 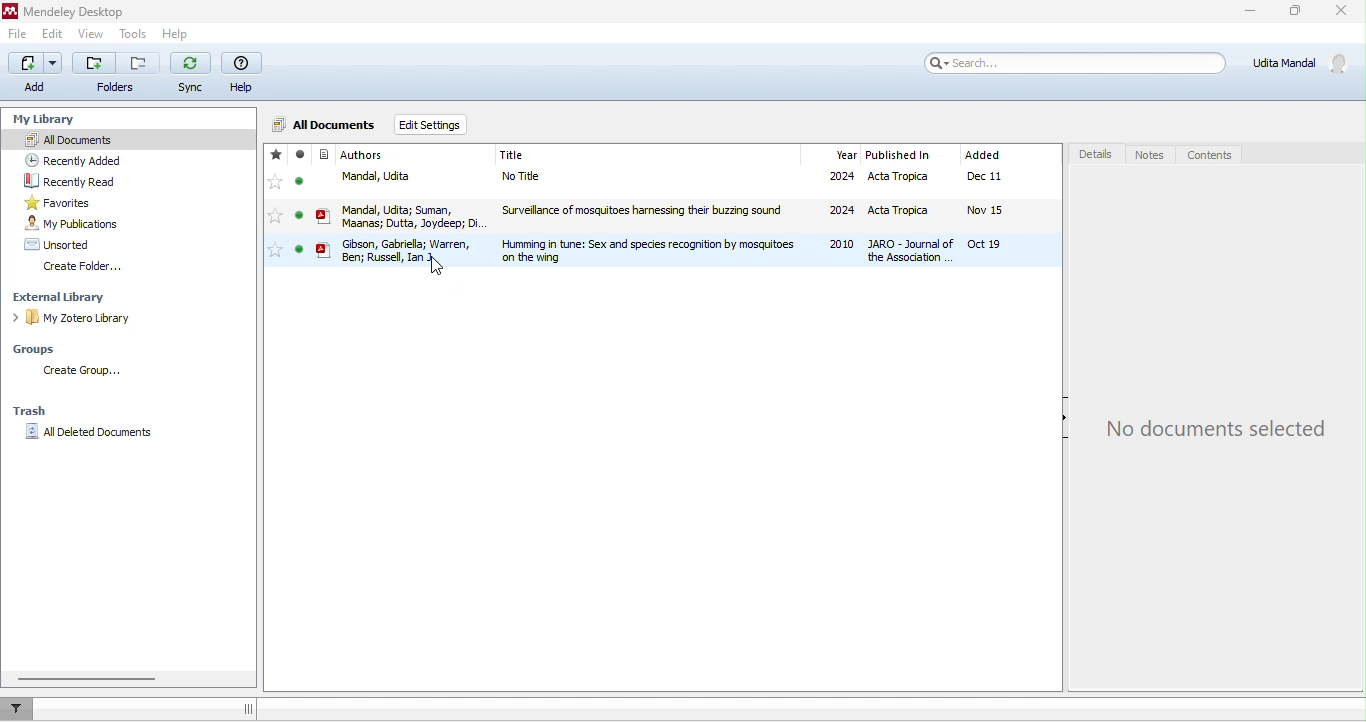 What do you see at coordinates (275, 205) in the screenshot?
I see `stared` at bounding box center [275, 205].